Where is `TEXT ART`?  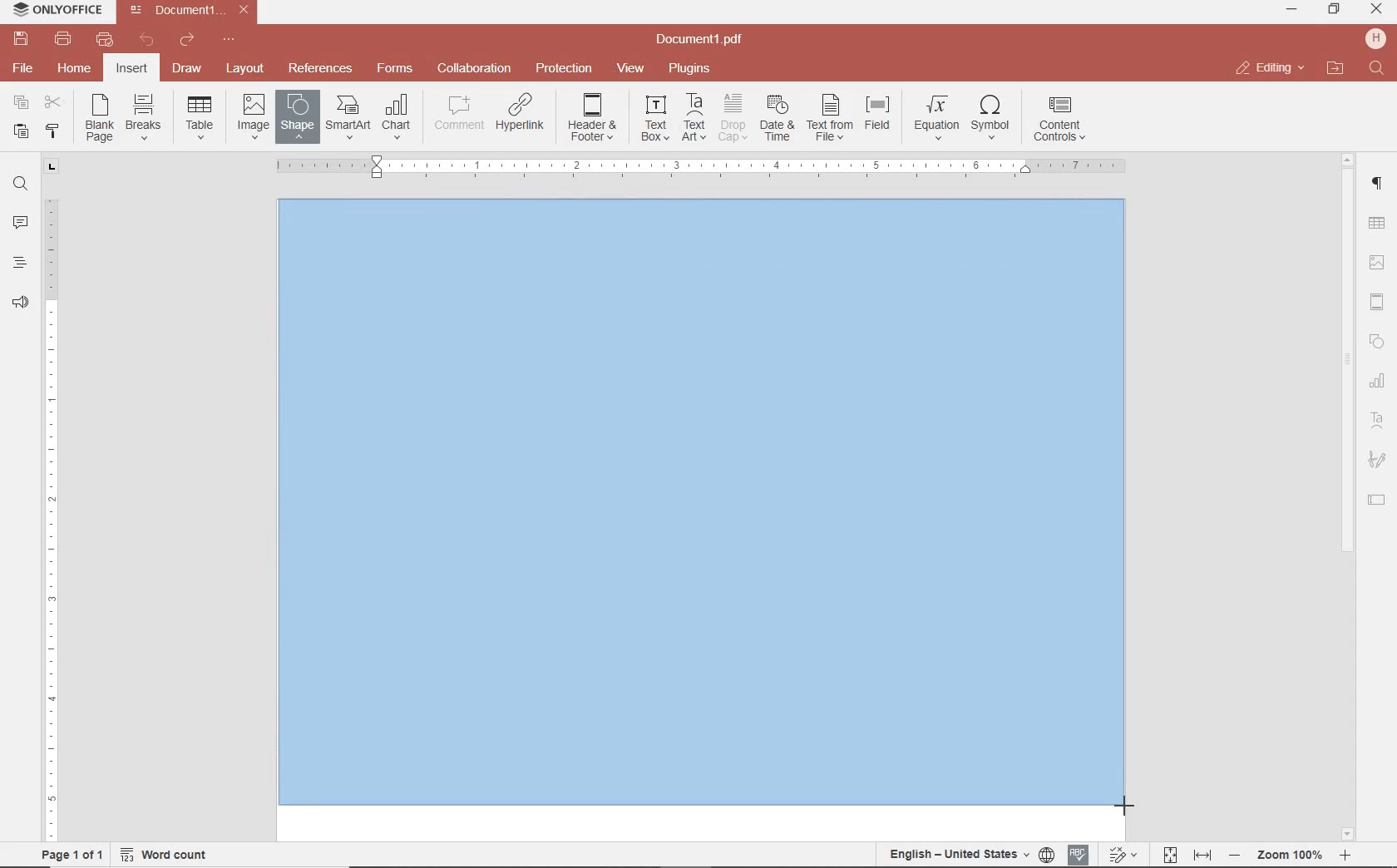
TEXT ART is located at coordinates (1378, 422).